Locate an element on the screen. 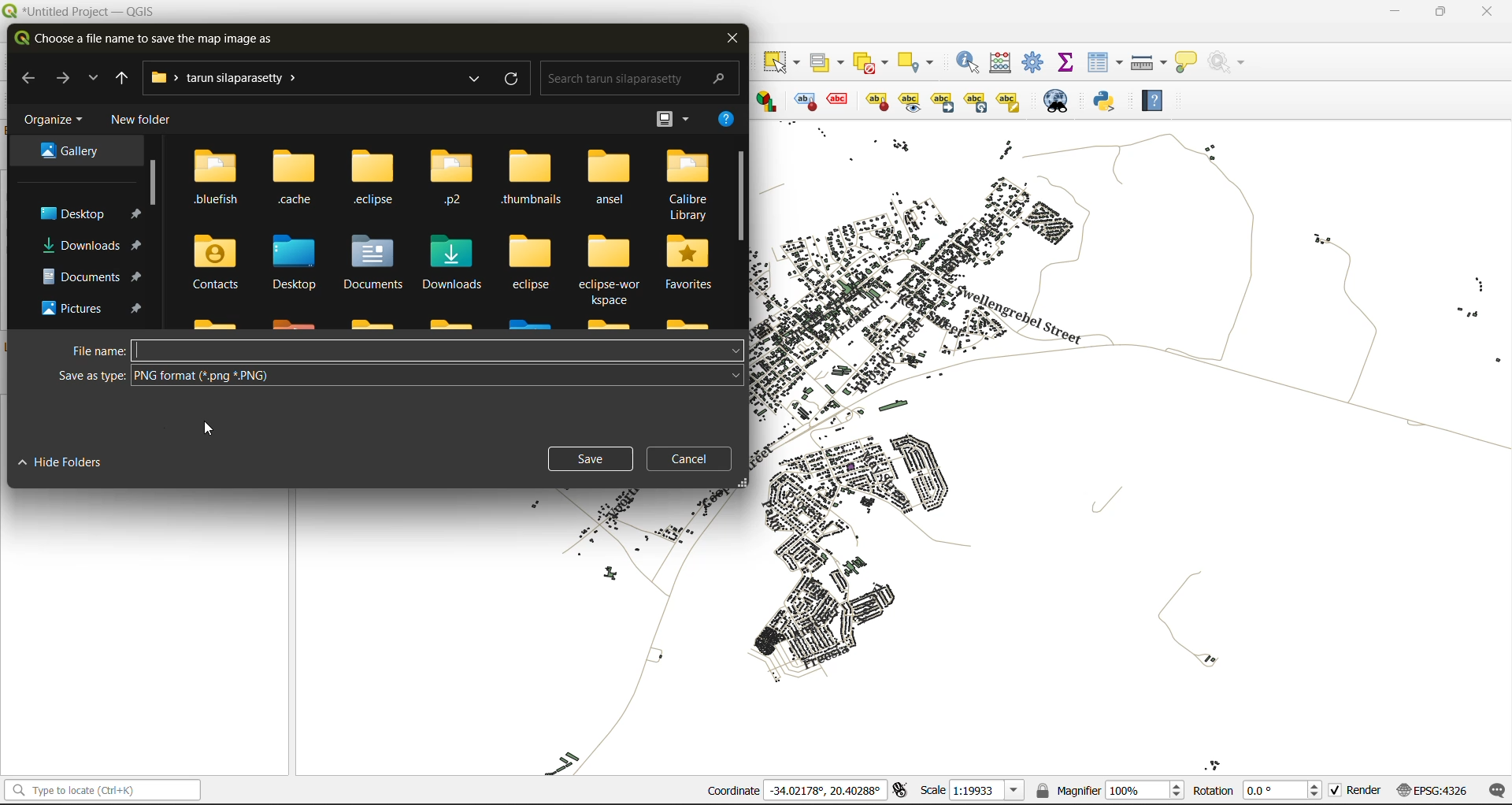  pin/unpin lable and diagram is located at coordinates (840, 101).